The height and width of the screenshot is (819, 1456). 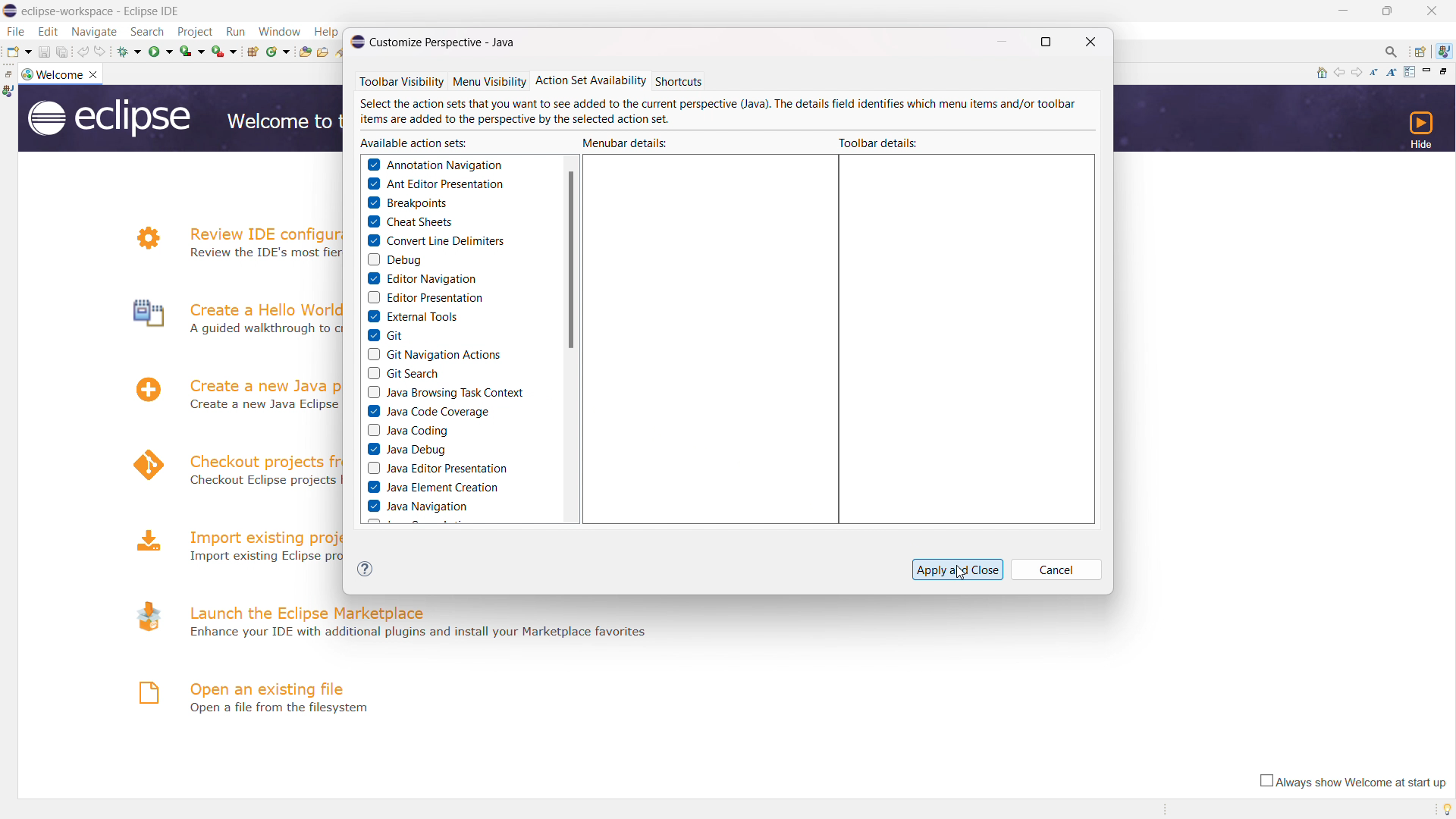 I want to click on Select the action sets that you want to see added to the current perspective (Java). Ihe details field identifies which menu items and/or toolbar
items are added to the perspective by the selected action set., so click(x=723, y=112).